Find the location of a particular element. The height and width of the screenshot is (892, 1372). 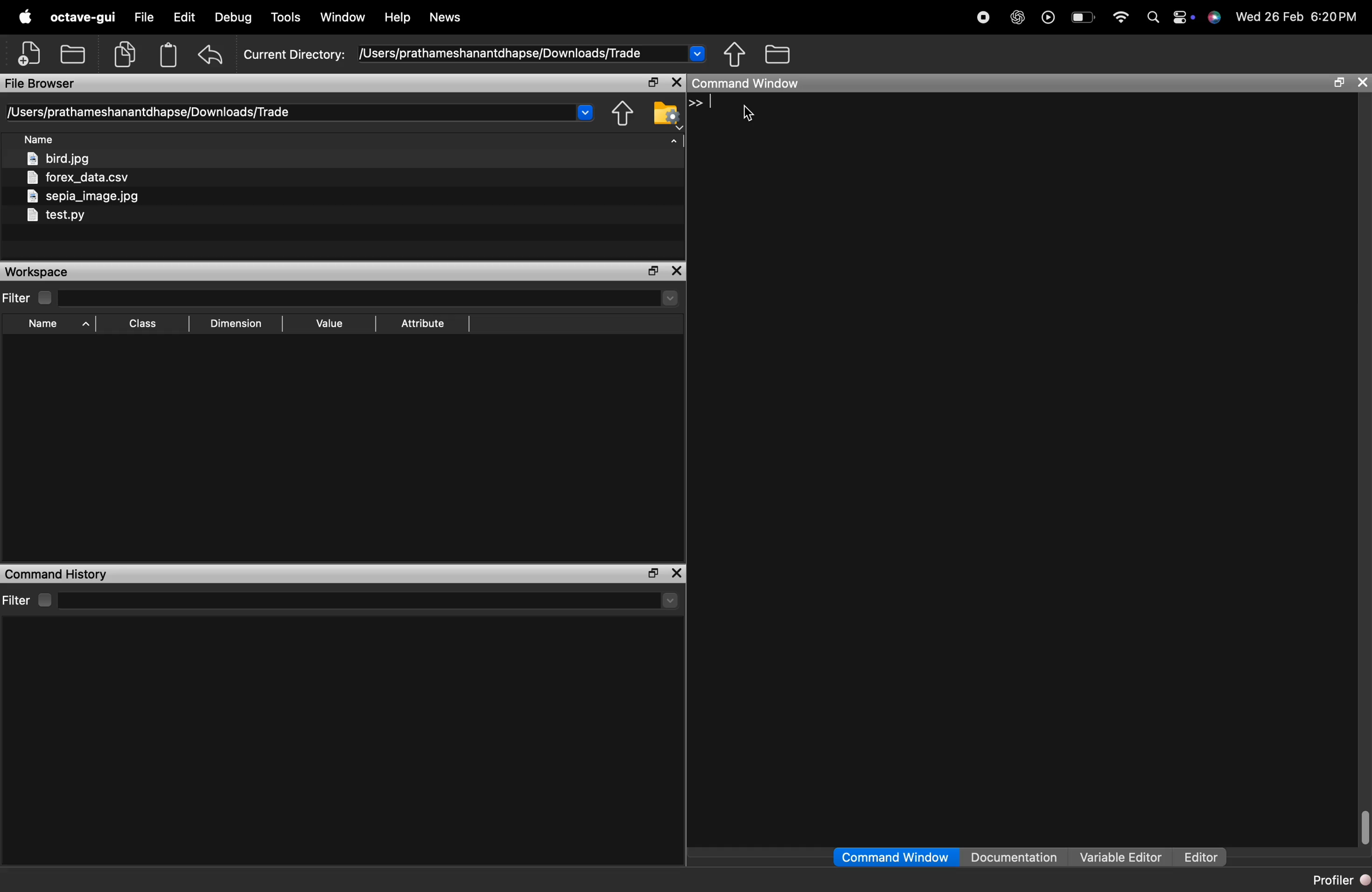

dropdown is located at coordinates (673, 145).